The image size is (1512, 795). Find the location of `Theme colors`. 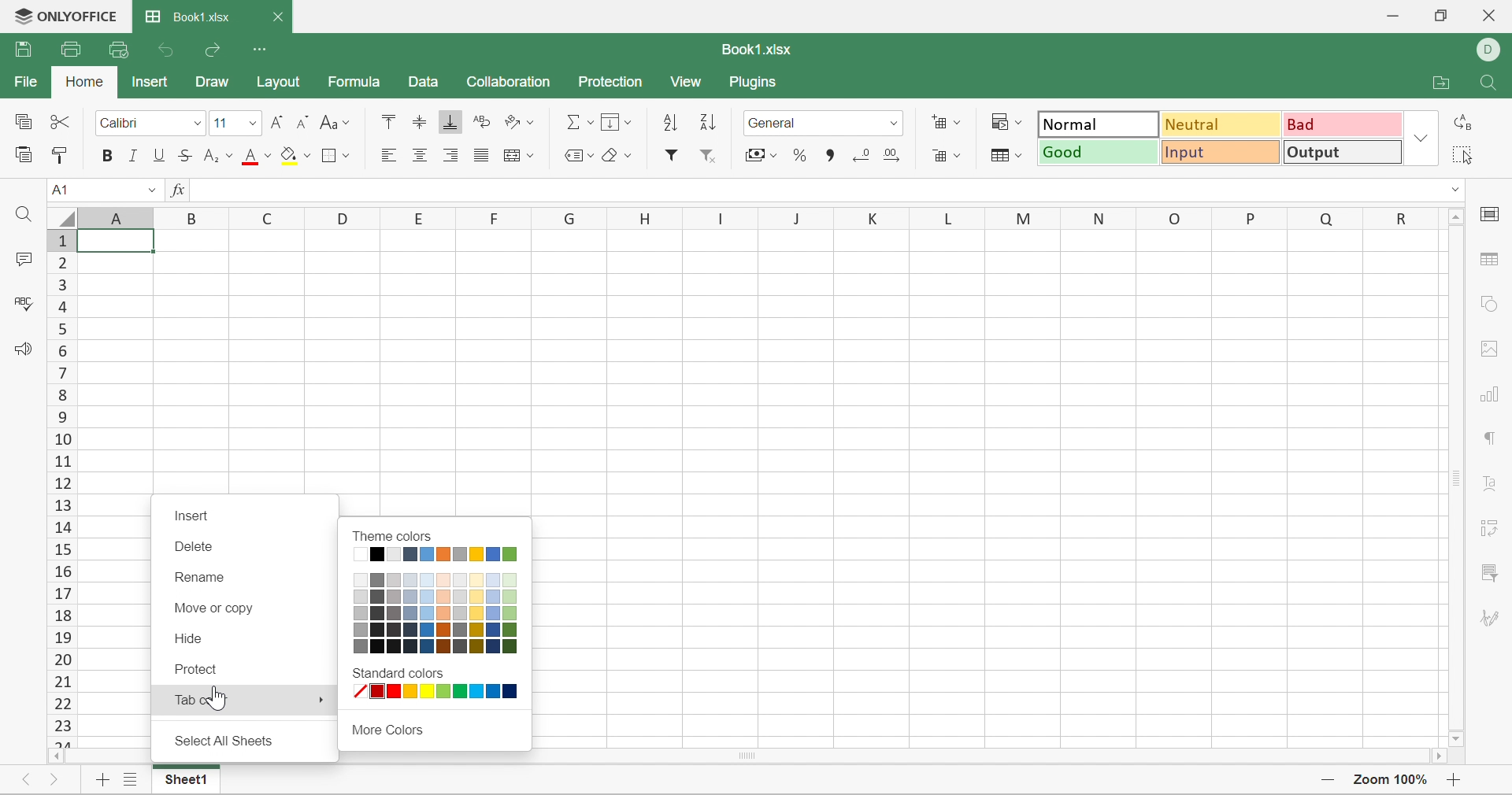

Theme colors is located at coordinates (390, 534).